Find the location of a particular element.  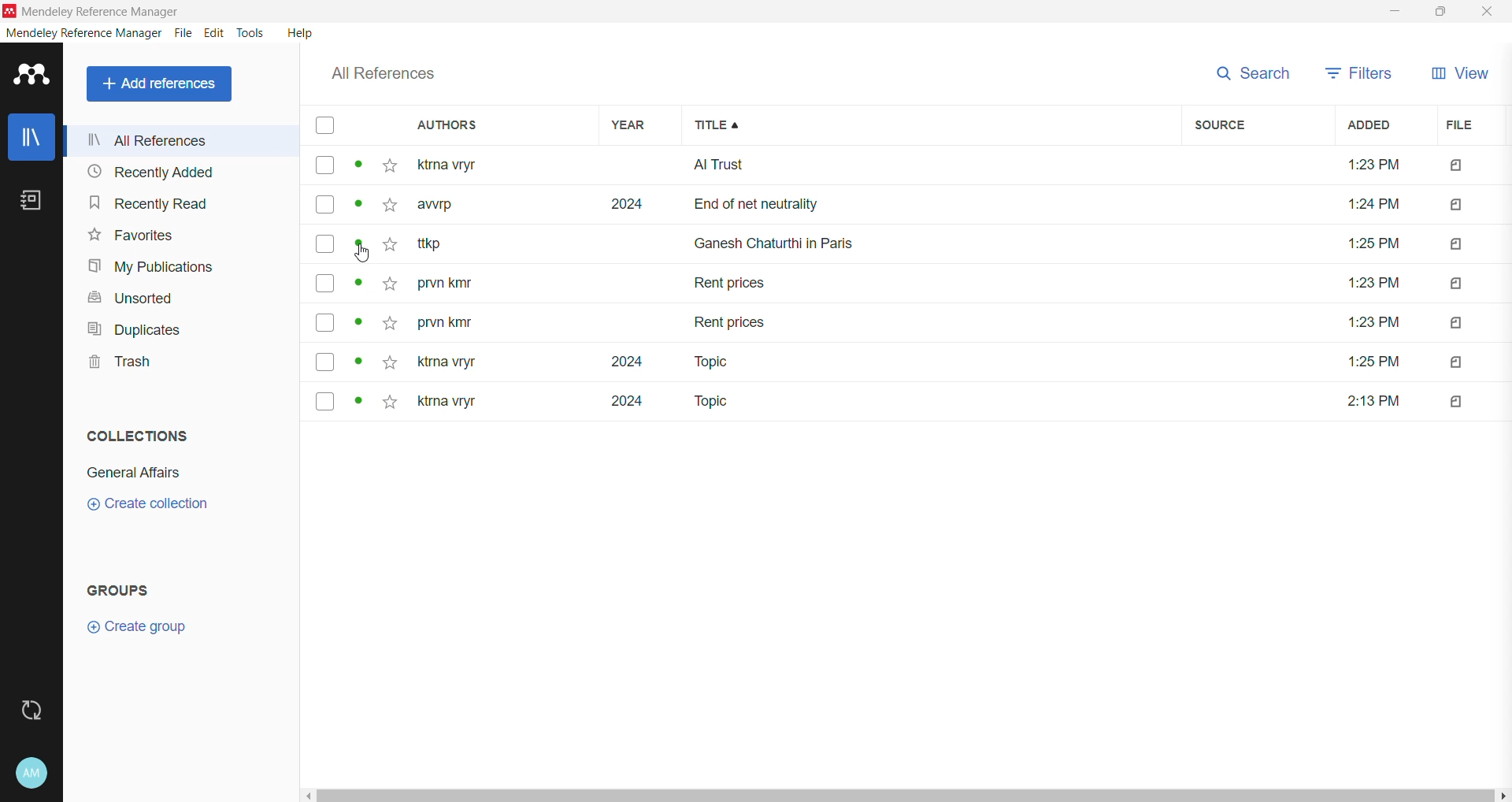

Unsorted is located at coordinates (126, 297).